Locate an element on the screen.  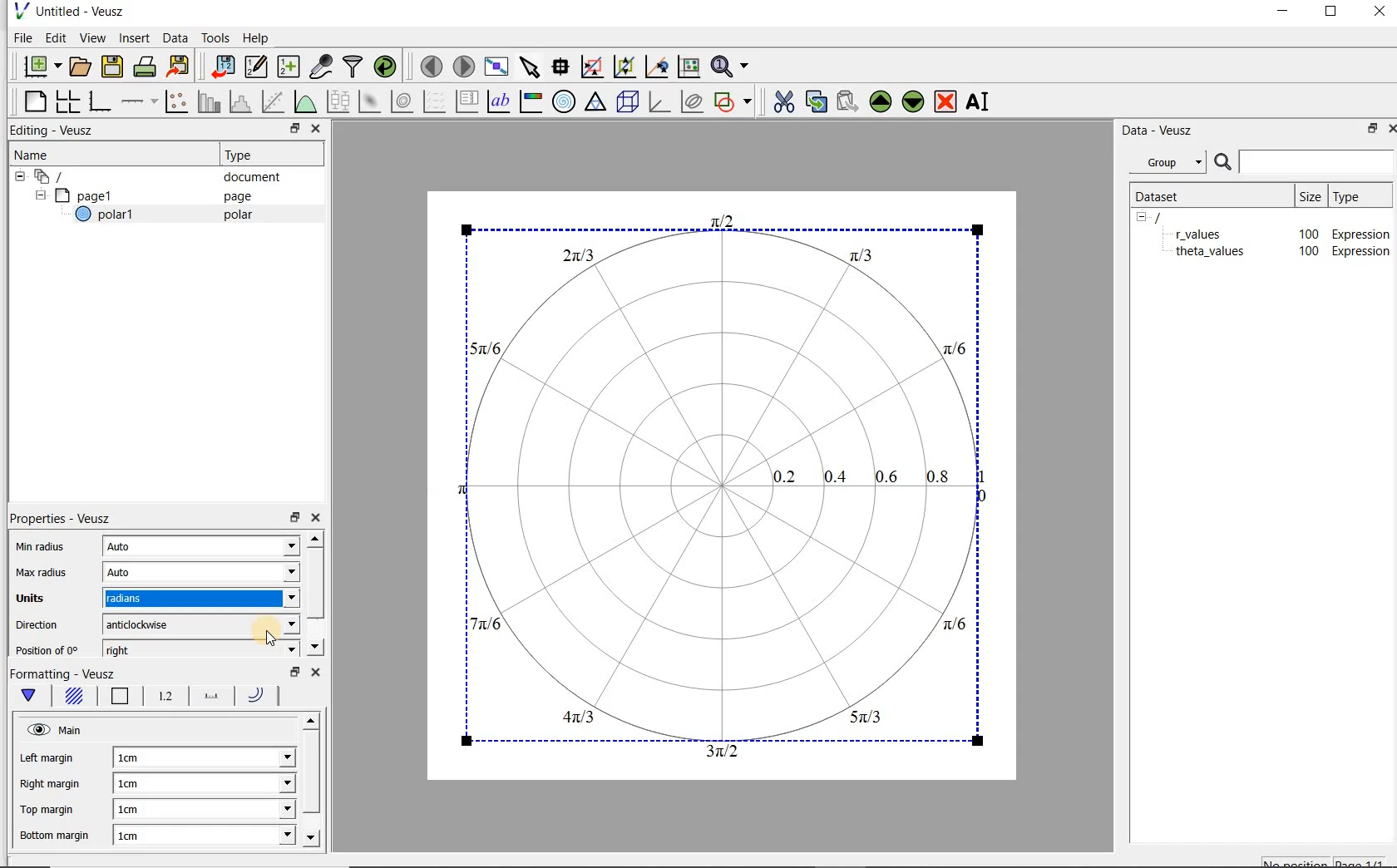
image color bar is located at coordinates (531, 101).